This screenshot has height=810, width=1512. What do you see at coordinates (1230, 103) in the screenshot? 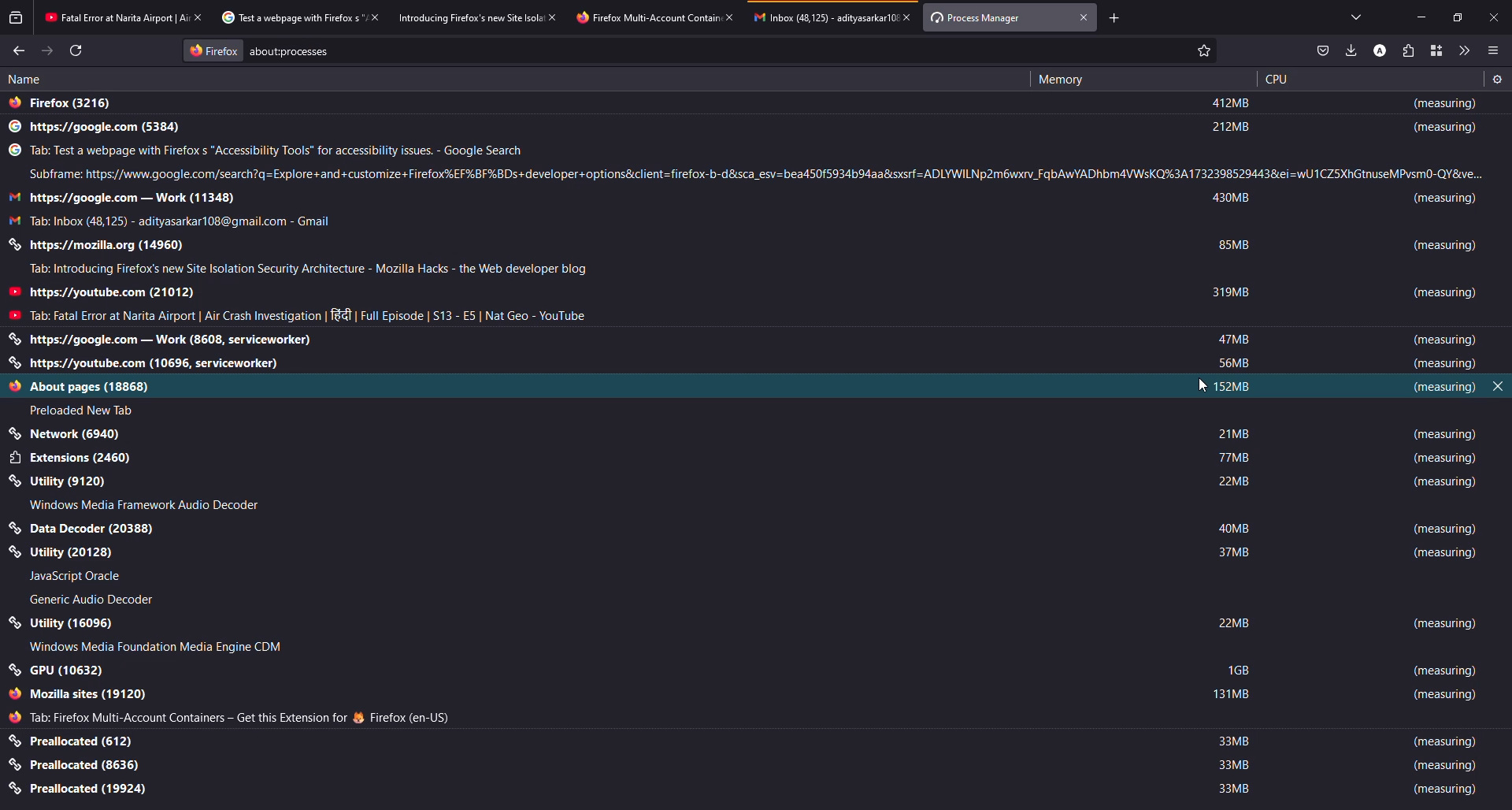
I see `412 mb` at bounding box center [1230, 103].